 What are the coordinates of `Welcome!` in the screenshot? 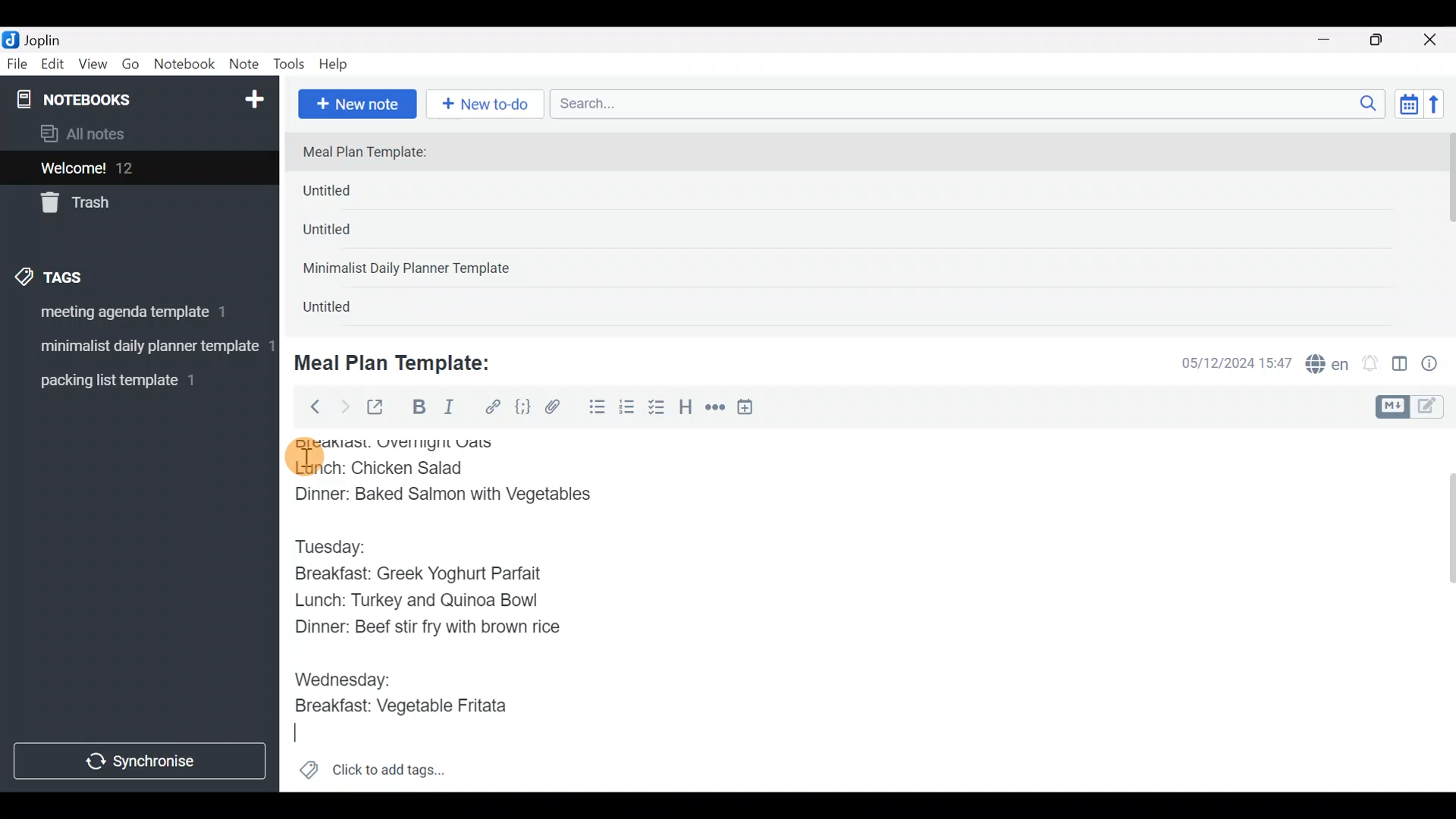 It's located at (137, 169).